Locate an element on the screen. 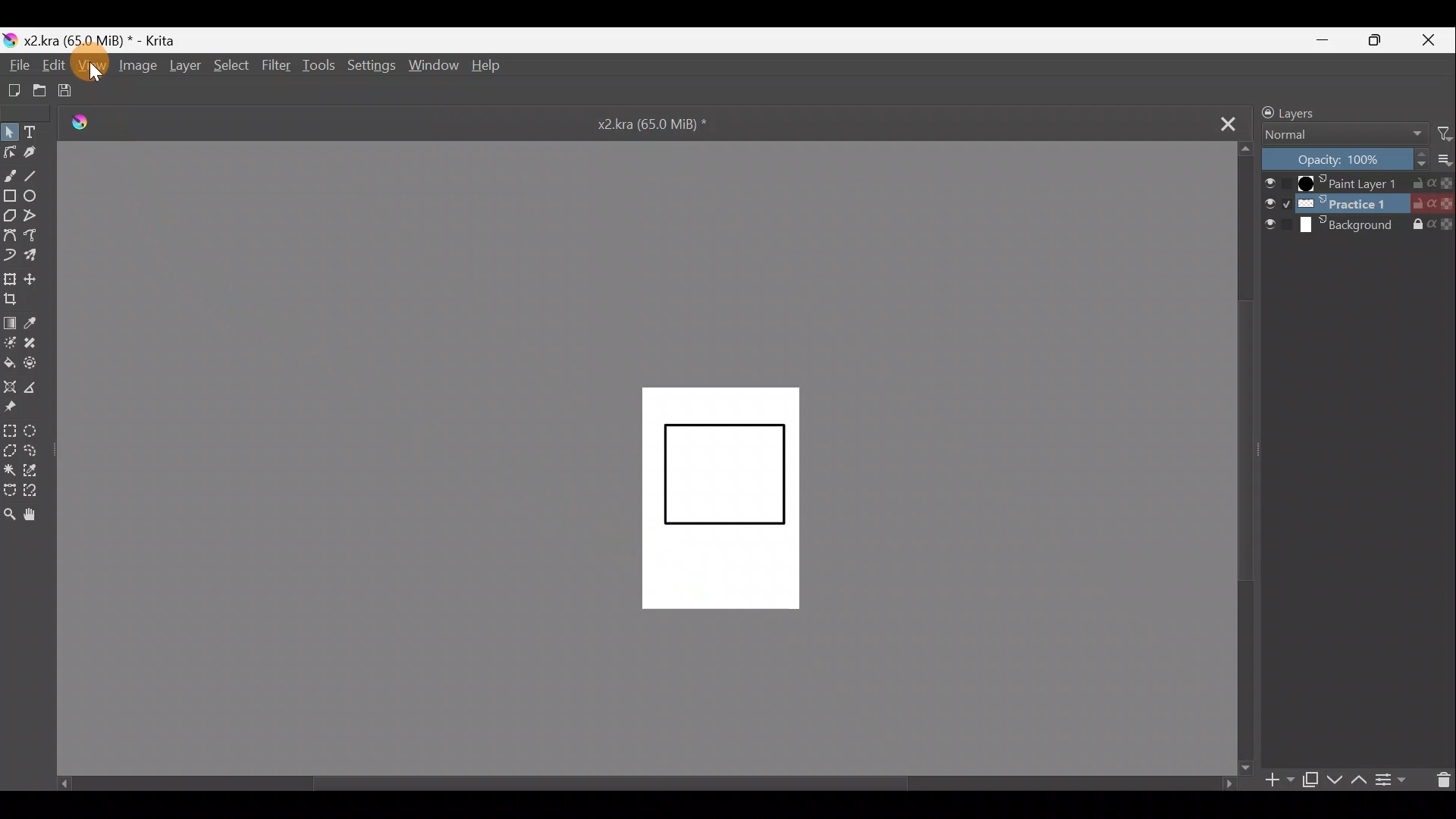 The image size is (1456, 819). Bezier curve selection tool is located at coordinates (13, 491).